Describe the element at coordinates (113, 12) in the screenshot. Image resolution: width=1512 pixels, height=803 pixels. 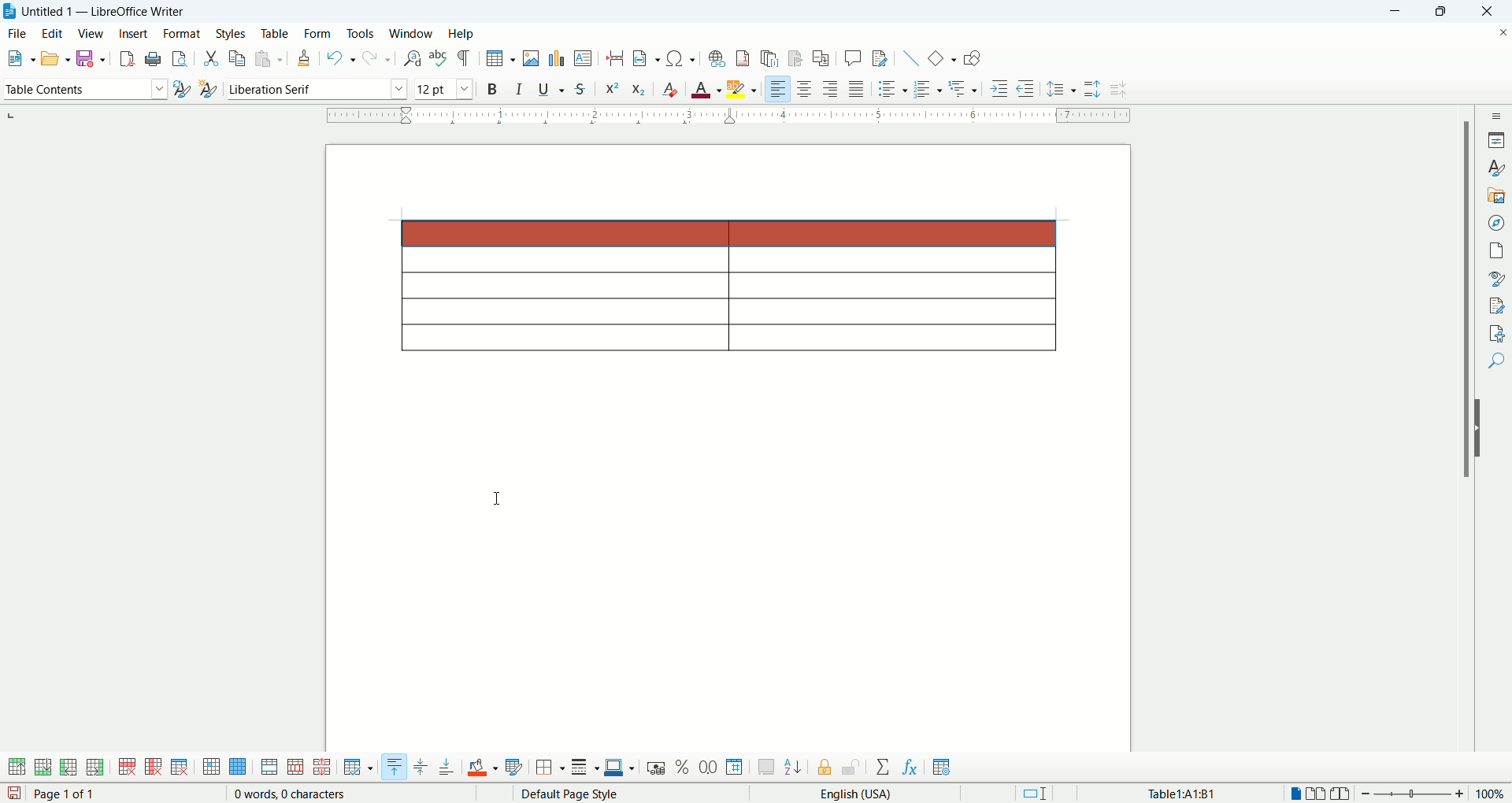
I see `document name` at that location.